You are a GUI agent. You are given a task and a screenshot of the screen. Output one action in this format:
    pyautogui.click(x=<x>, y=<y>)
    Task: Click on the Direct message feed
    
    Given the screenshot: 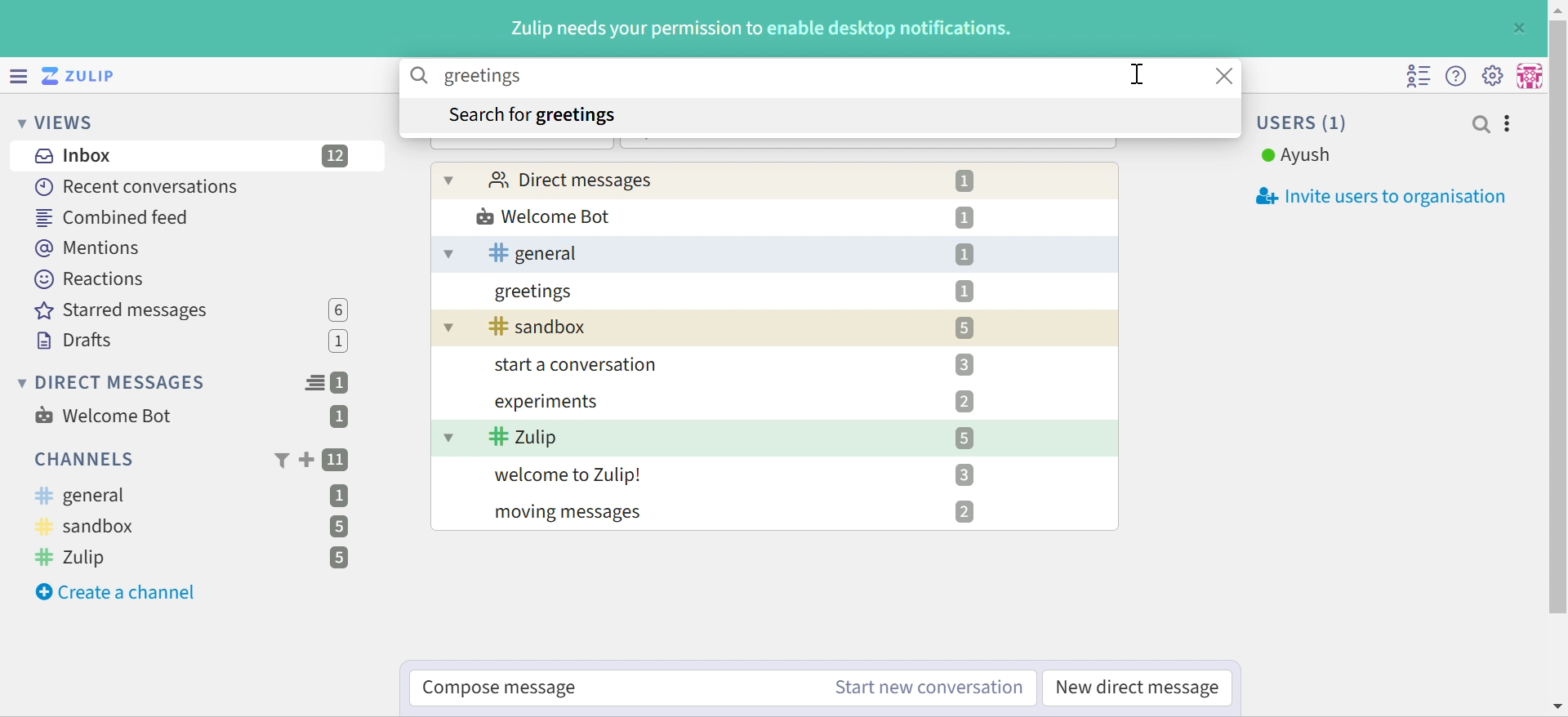 What is the action you would take?
    pyautogui.click(x=314, y=383)
    